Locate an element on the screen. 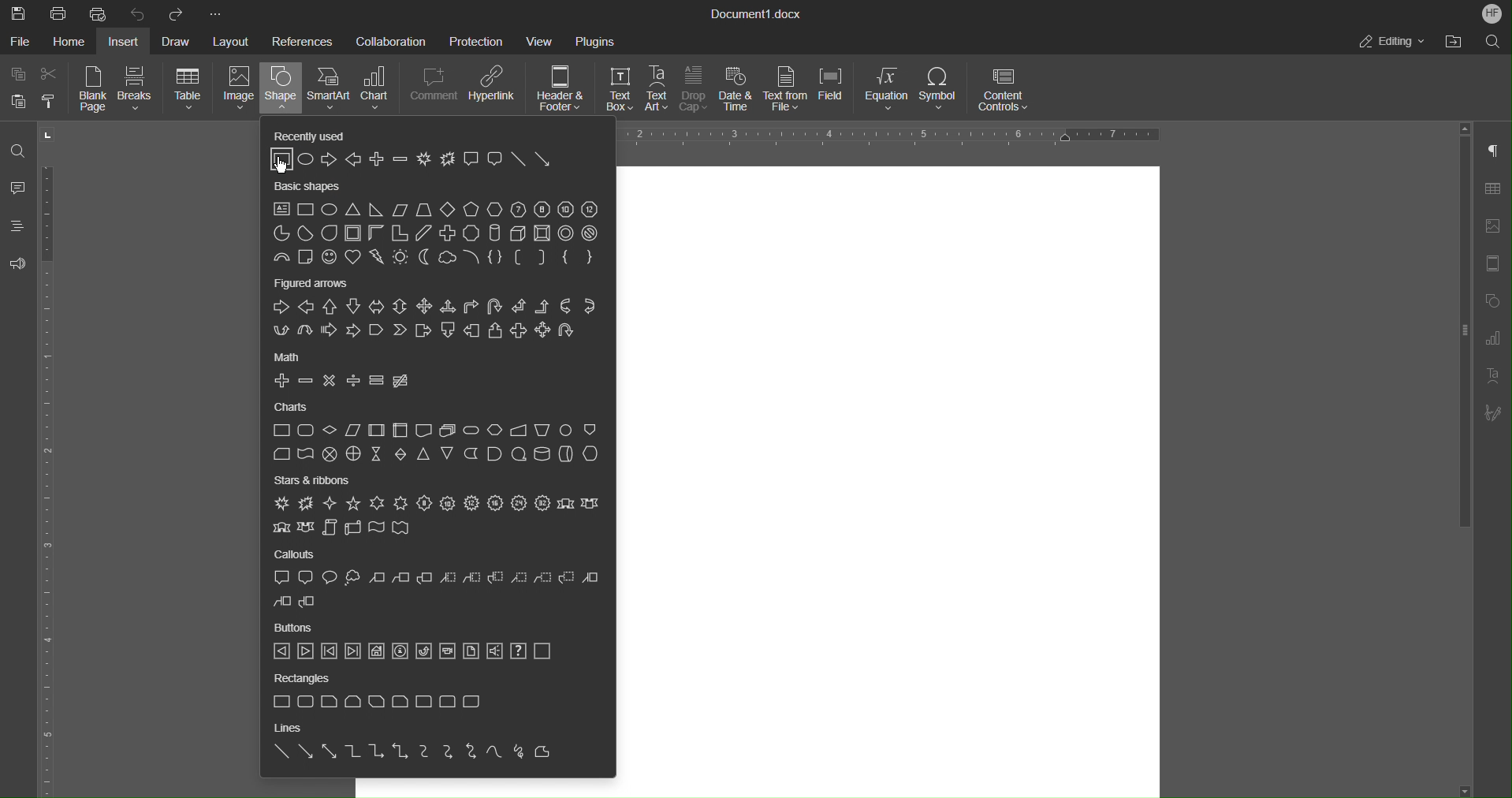 The image size is (1512, 798). Figured Arrows is located at coordinates (435, 319).